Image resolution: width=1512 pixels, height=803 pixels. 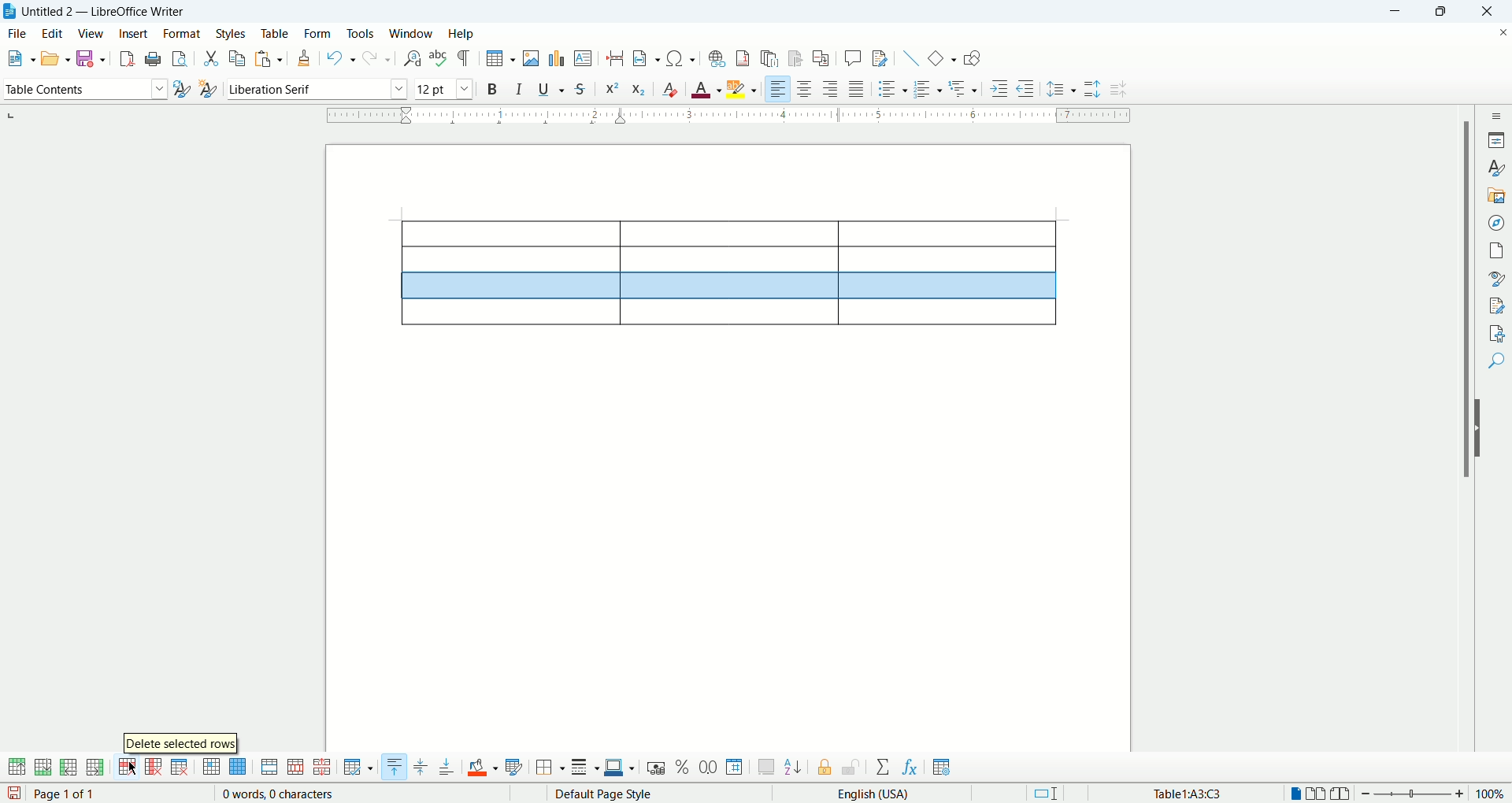 What do you see at coordinates (822, 768) in the screenshot?
I see `protect cells` at bounding box center [822, 768].